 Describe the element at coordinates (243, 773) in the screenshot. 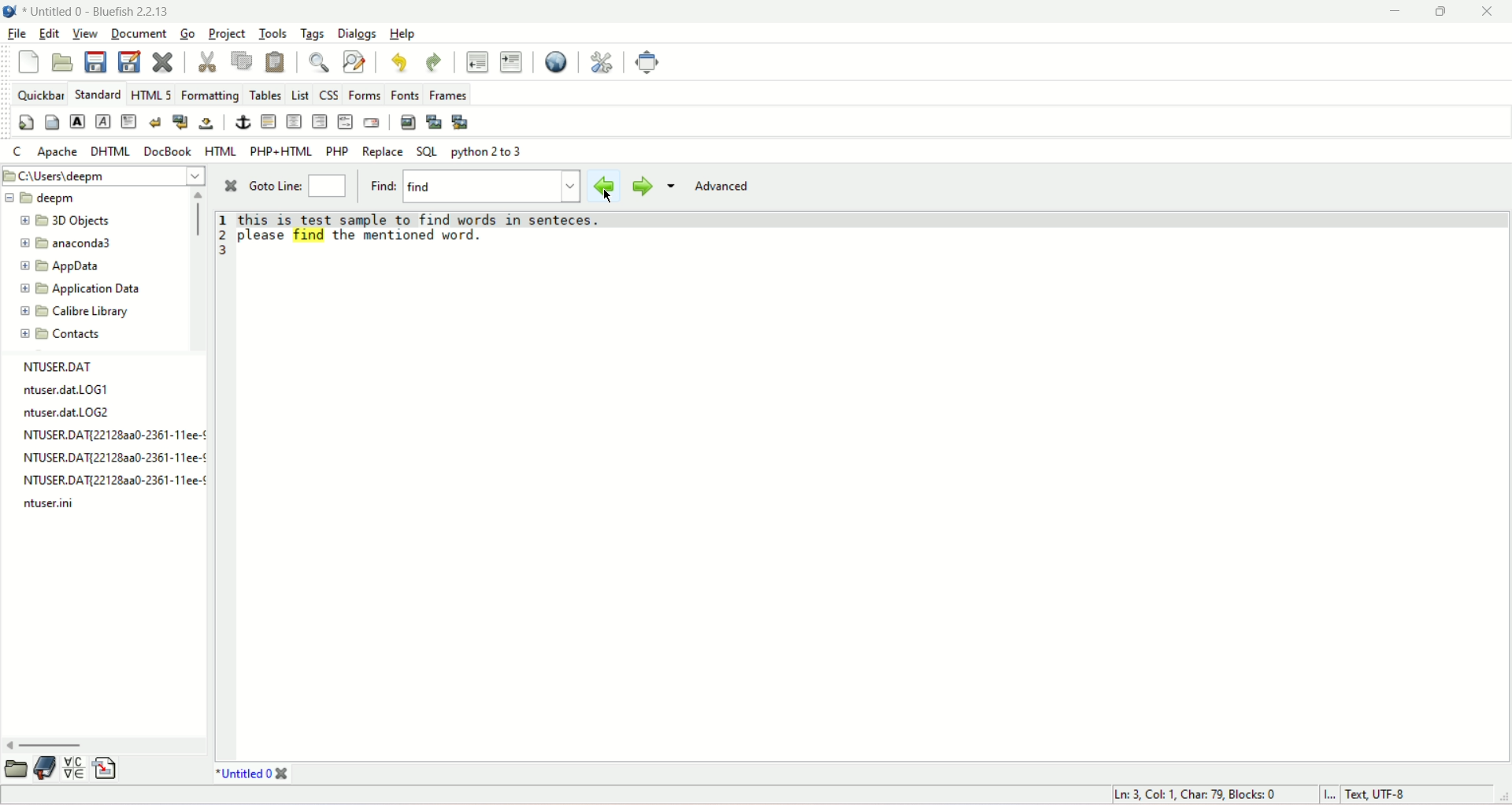

I see `title` at that location.